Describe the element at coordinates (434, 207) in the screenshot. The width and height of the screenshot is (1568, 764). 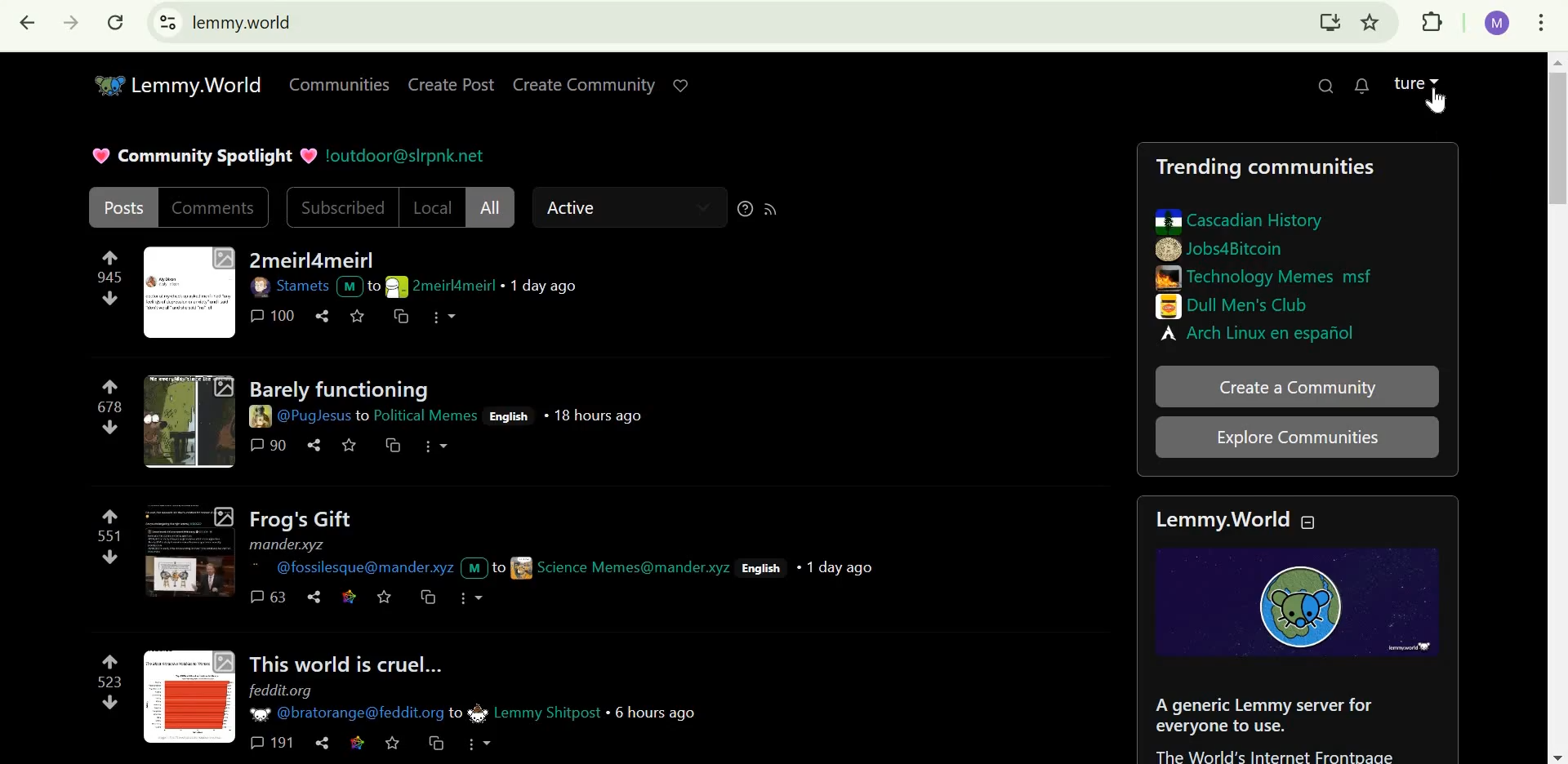
I see `Local` at that location.